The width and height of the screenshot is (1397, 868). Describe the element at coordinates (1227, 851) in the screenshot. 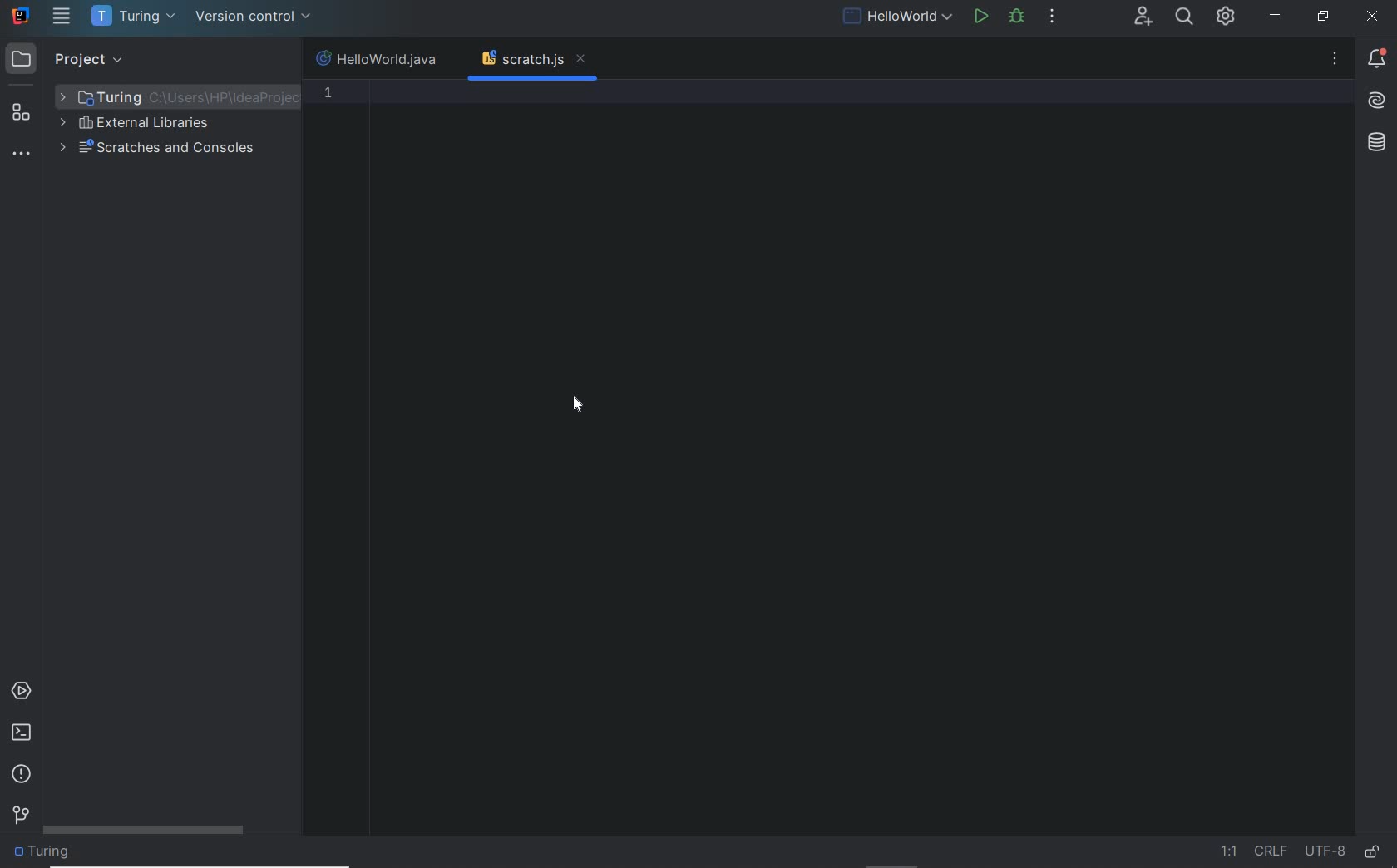

I see `go to line` at that location.